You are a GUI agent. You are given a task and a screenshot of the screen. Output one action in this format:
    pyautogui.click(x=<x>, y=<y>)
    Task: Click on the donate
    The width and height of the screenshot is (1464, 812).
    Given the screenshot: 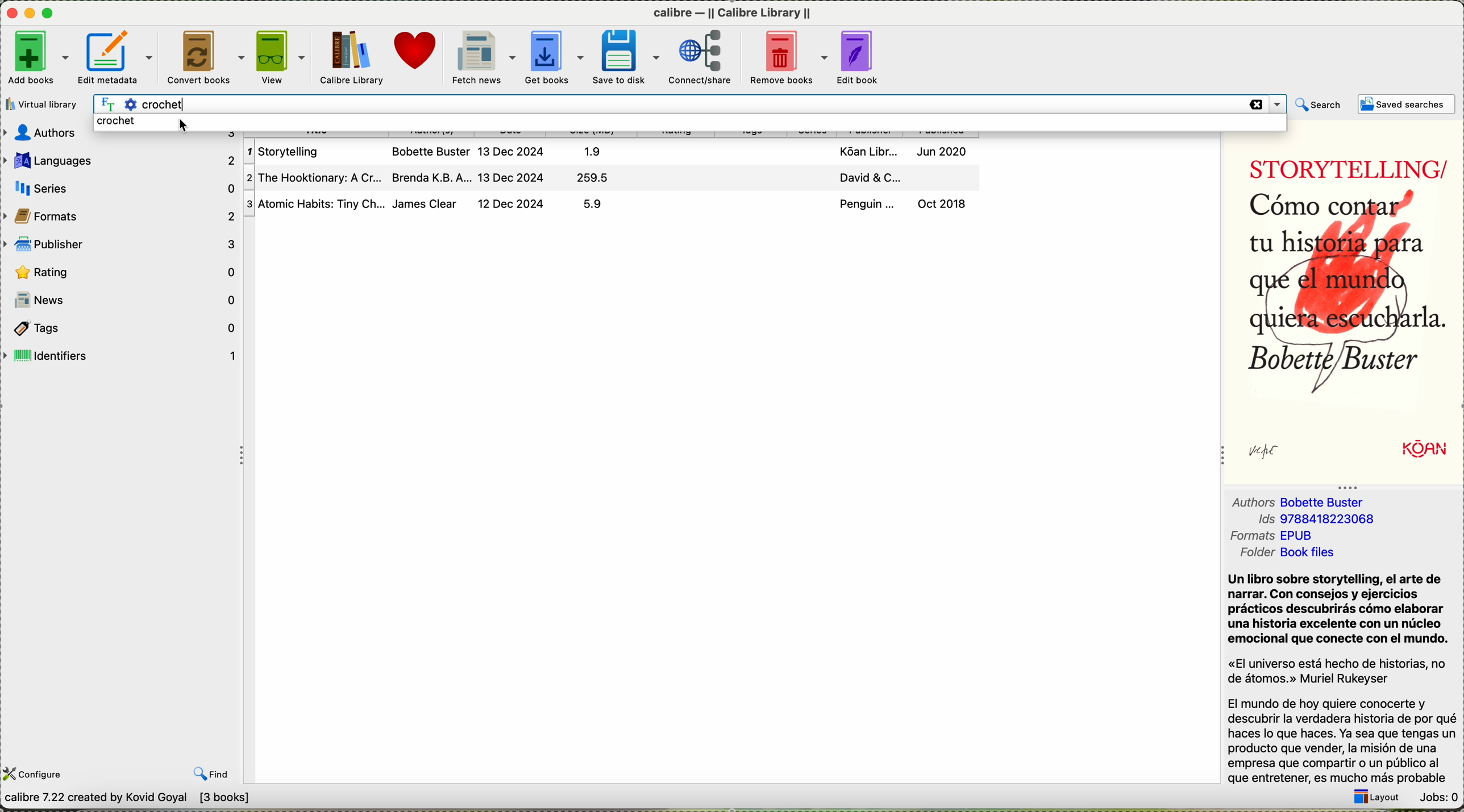 What is the action you would take?
    pyautogui.click(x=416, y=51)
    